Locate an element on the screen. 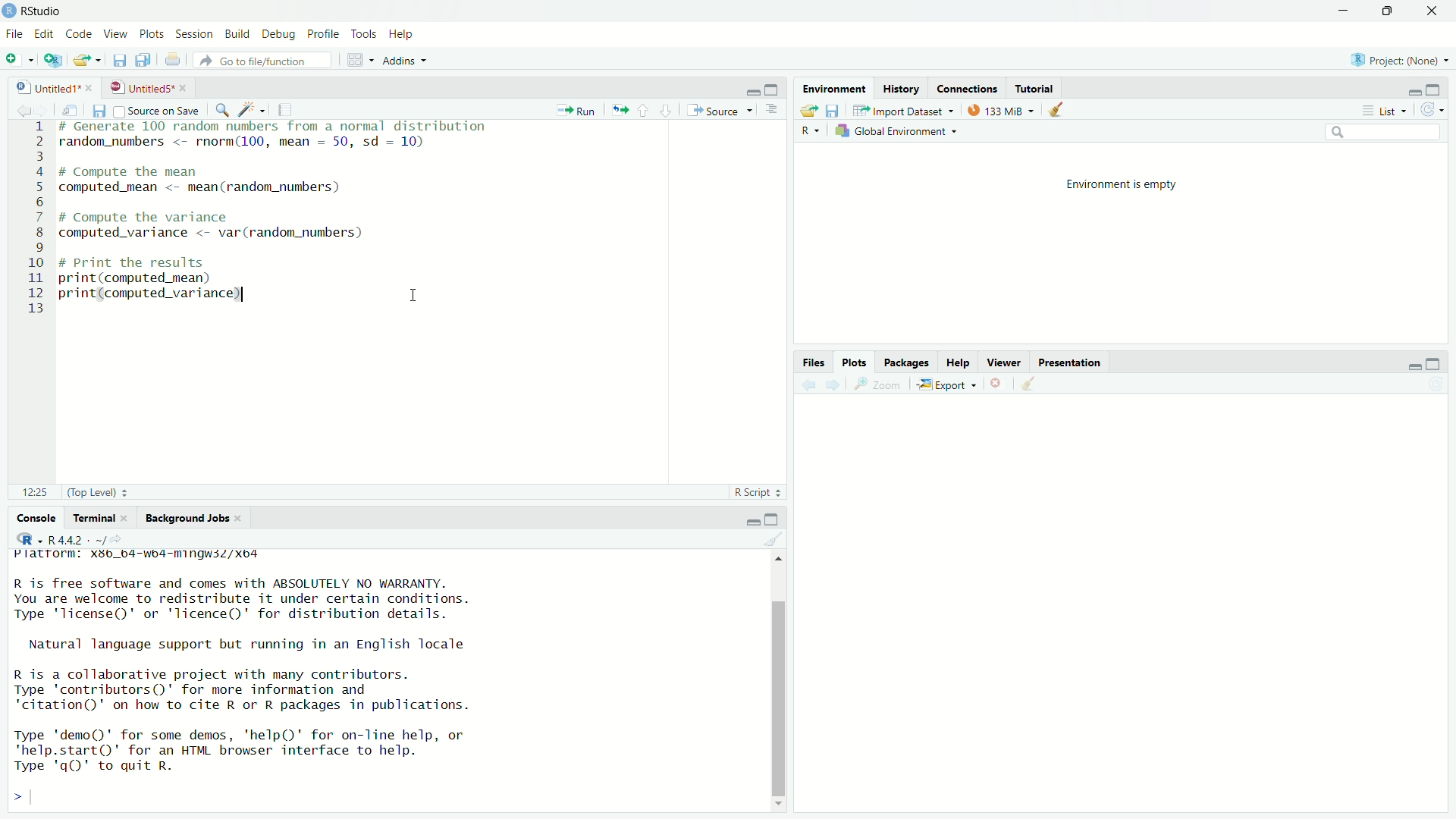  go to previous section/chunk is located at coordinates (644, 110).